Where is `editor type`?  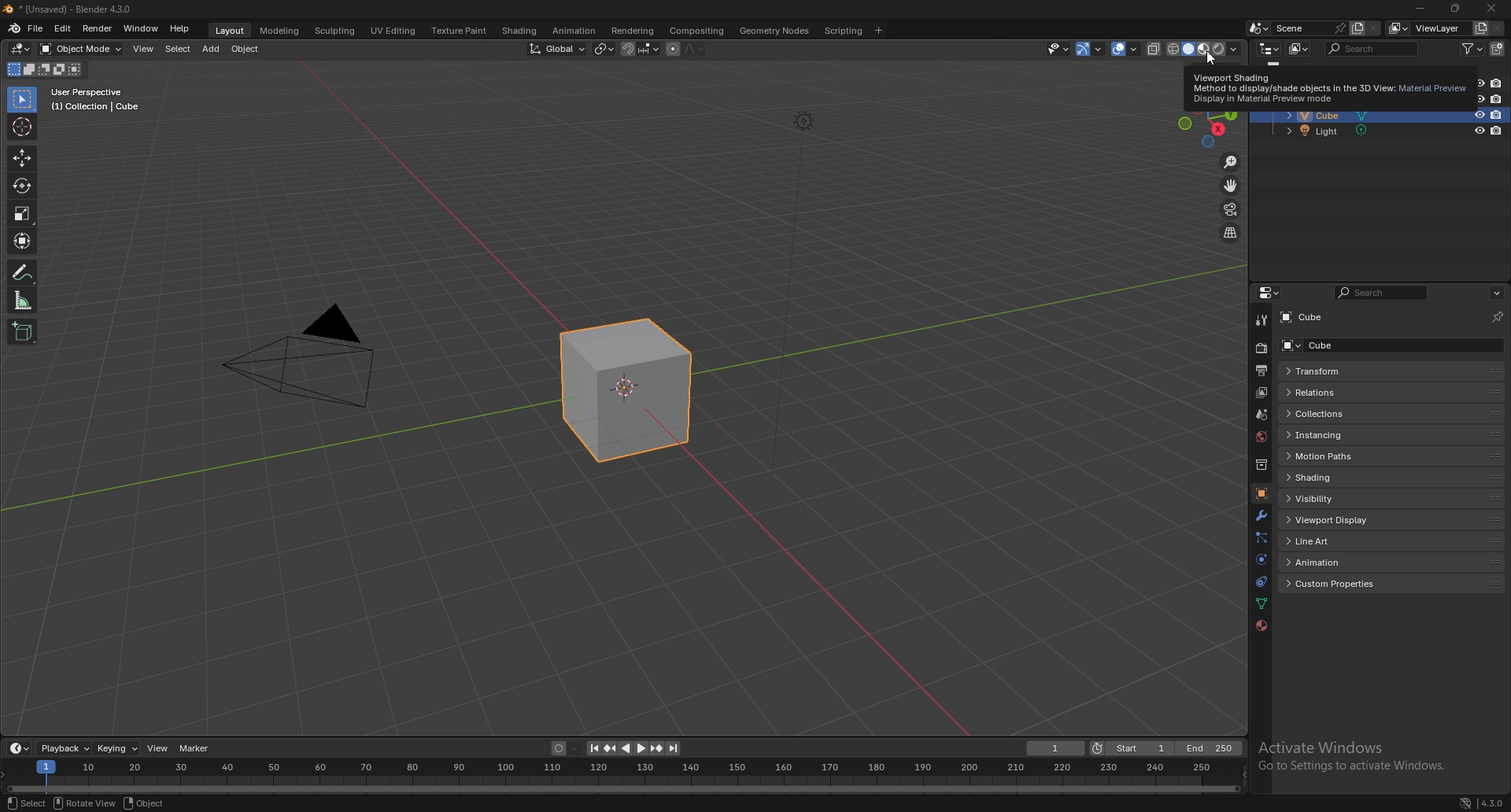
editor type is located at coordinates (20, 50).